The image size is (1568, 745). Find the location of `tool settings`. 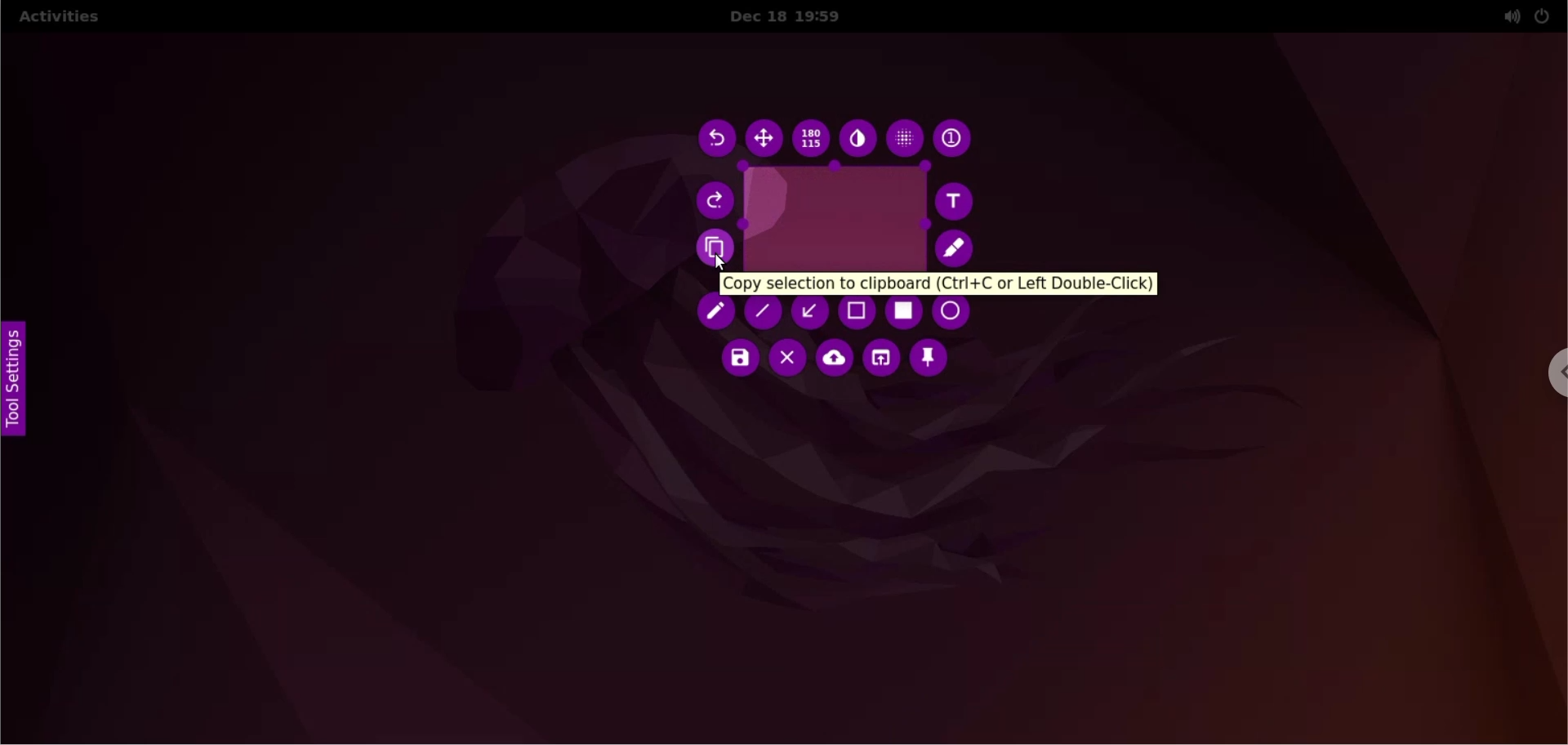

tool settings is located at coordinates (14, 383).